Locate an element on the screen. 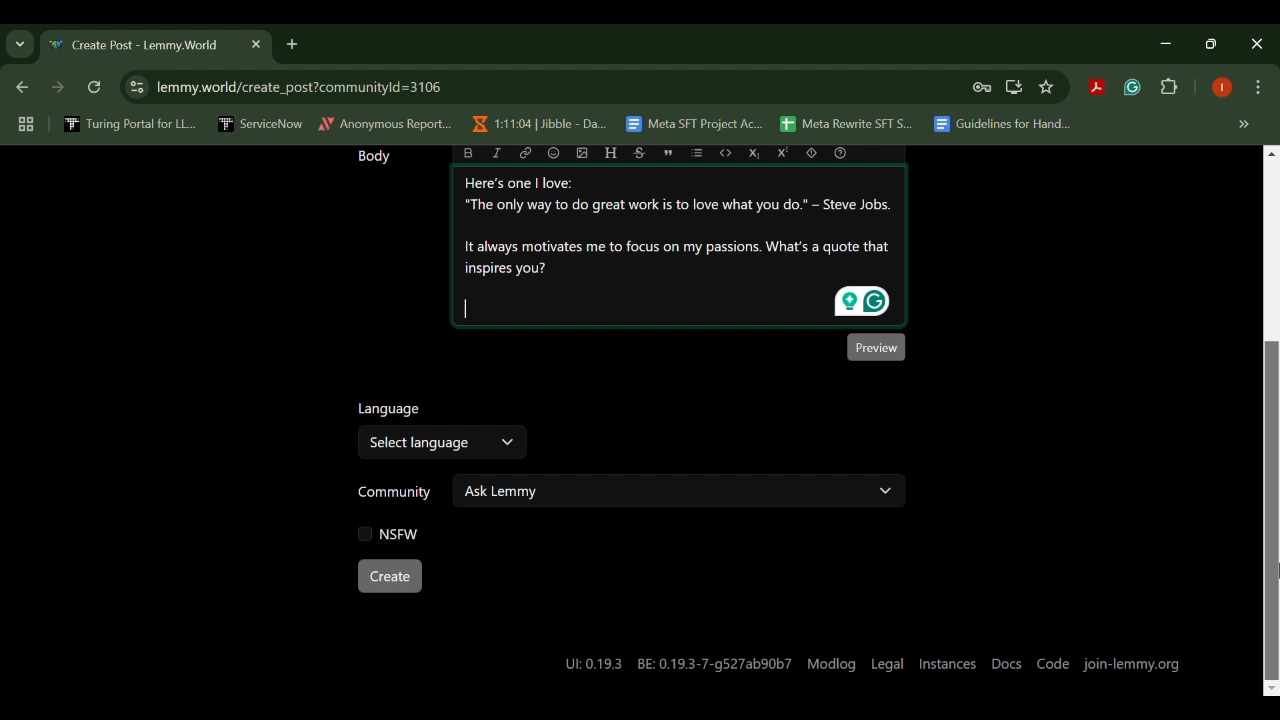 The height and width of the screenshot is (720, 1280). Previous Webpage is located at coordinates (19, 89).